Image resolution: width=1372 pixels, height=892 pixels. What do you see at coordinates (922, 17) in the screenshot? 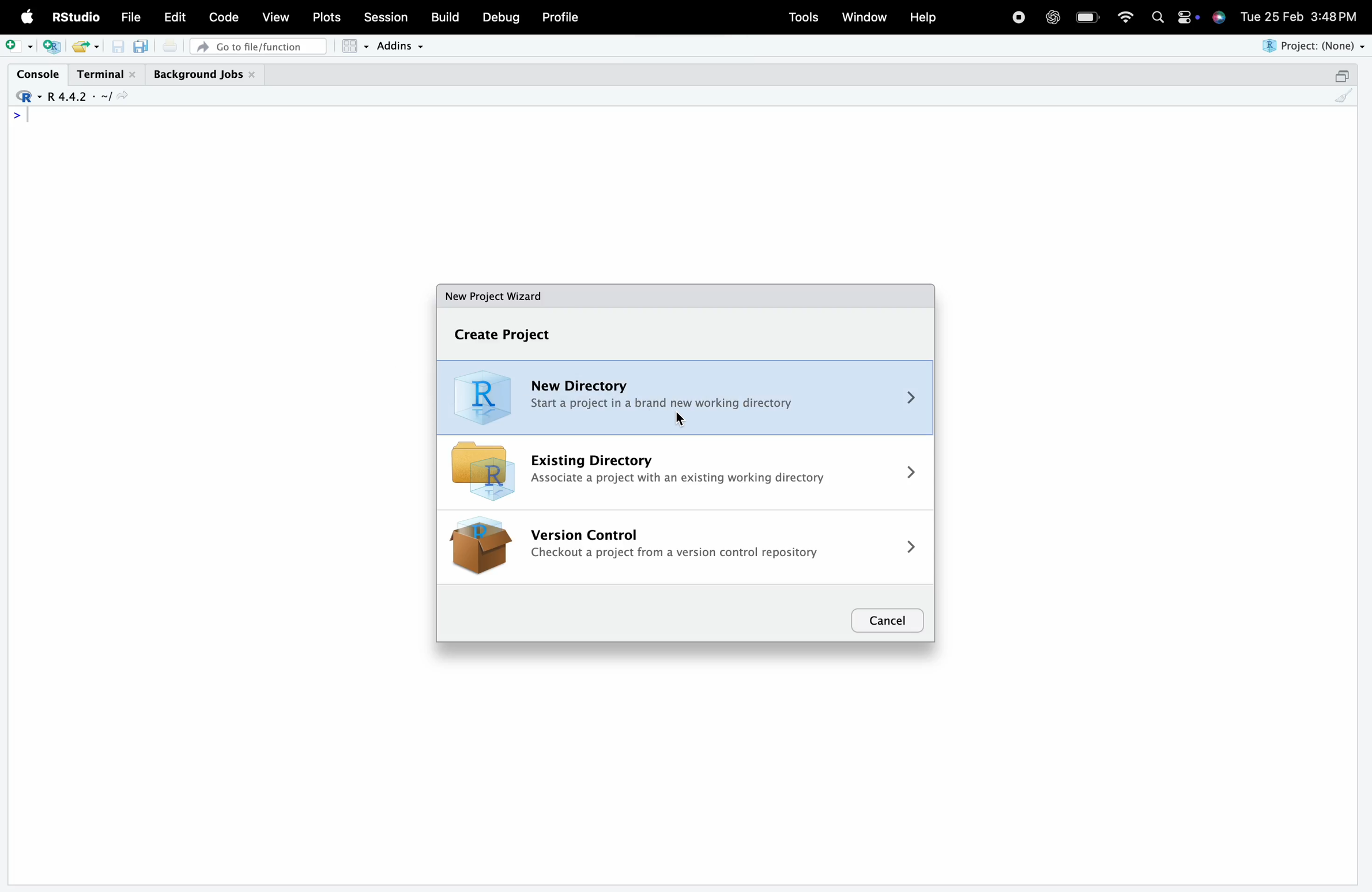
I see `Help` at bounding box center [922, 17].